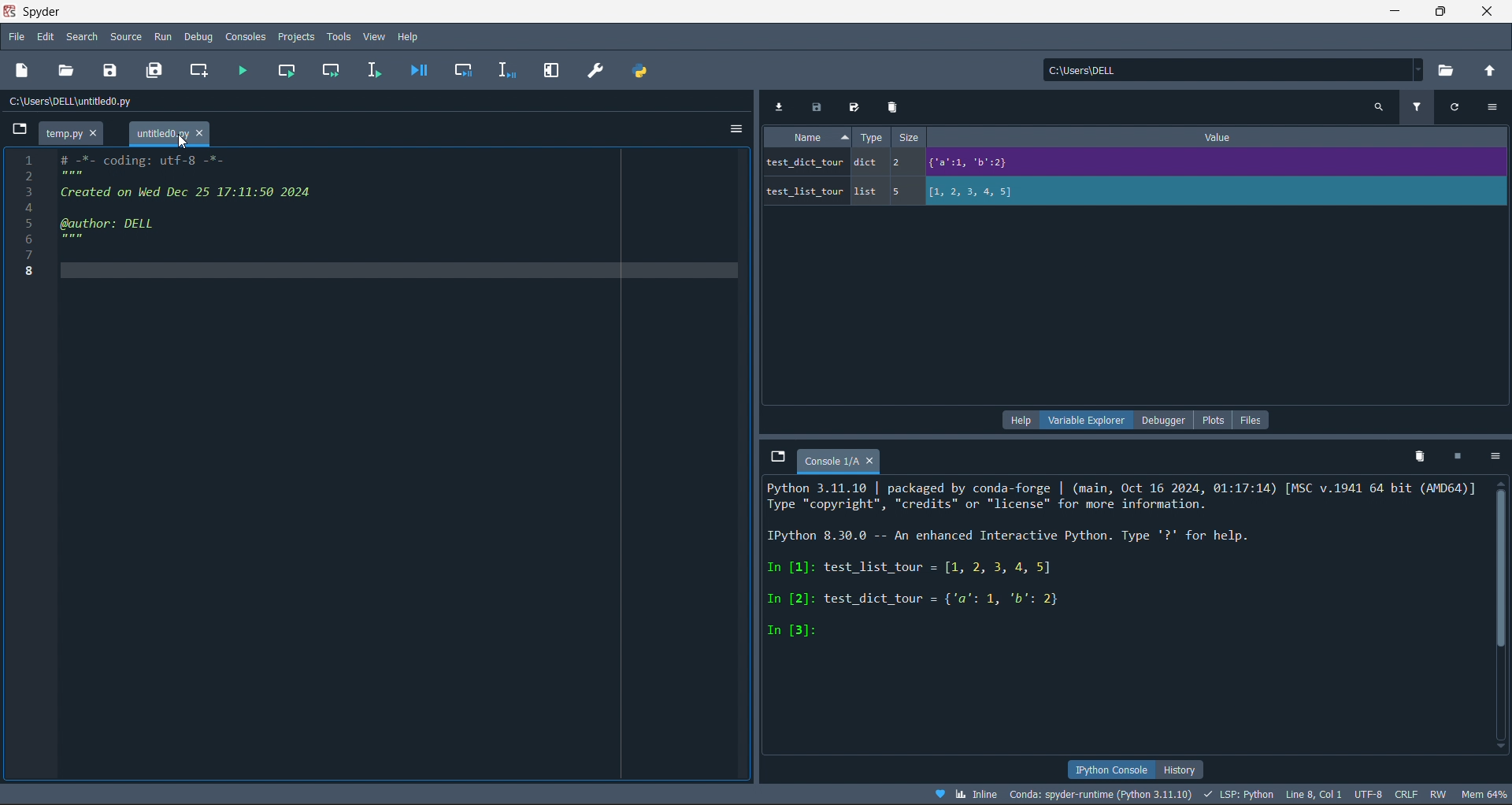  What do you see at coordinates (332, 69) in the screenshot?
I see `run cell and move` at bounding box center [332, 69].